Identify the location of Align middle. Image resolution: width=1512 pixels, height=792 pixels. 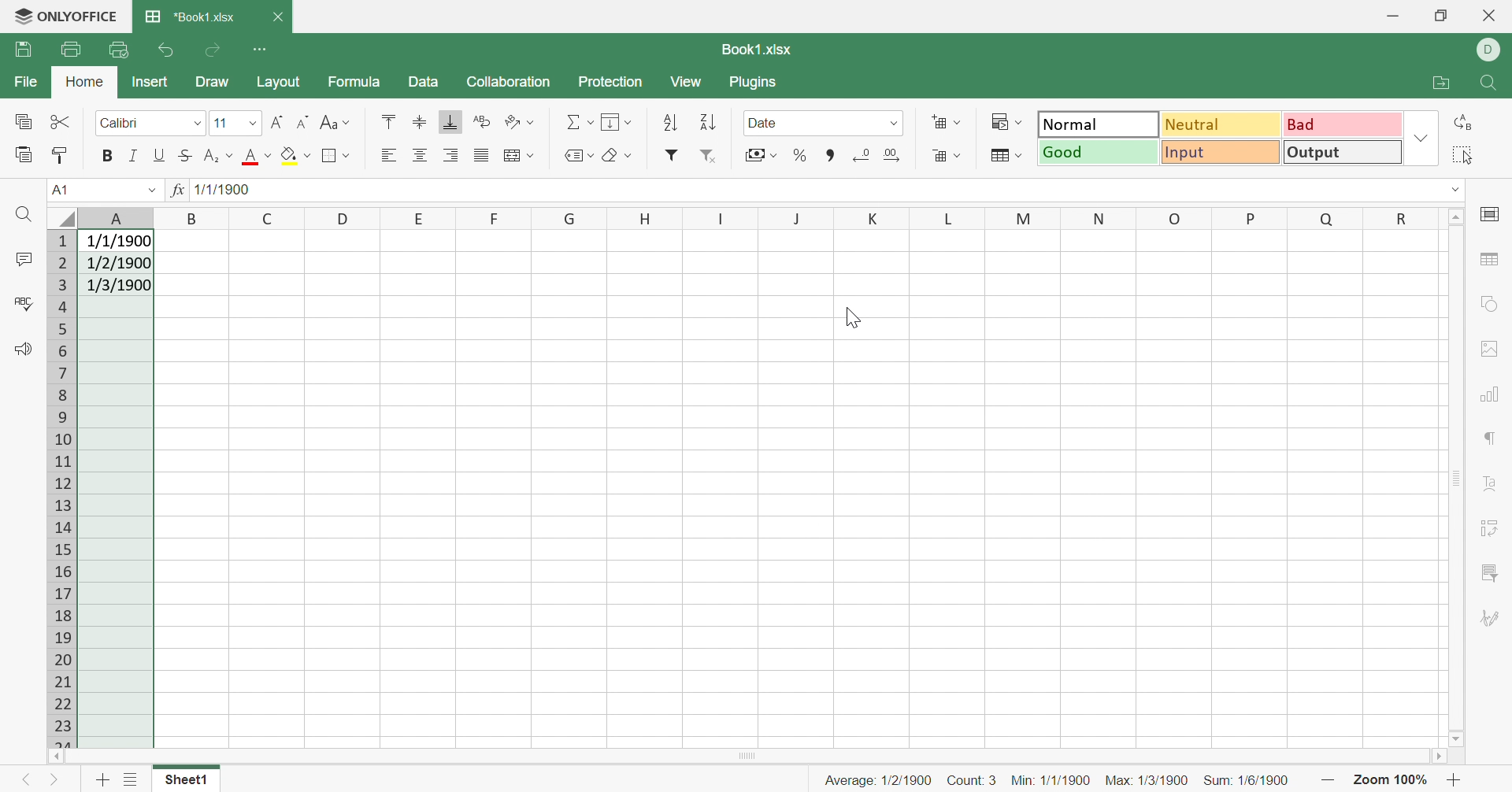
(421, 155).